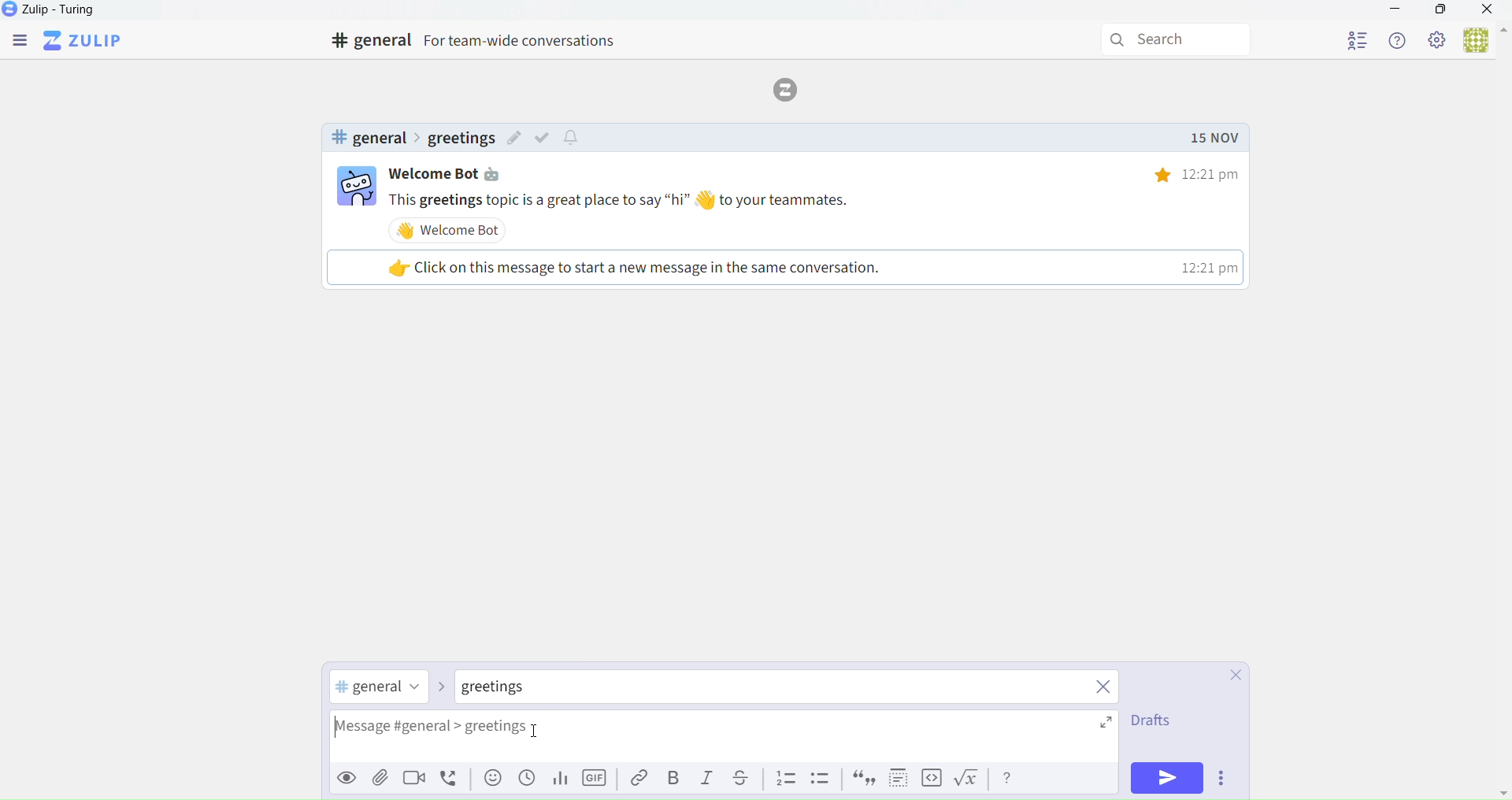  What do you see at coordinates (1439, 12) in the screenshot?
I see `restore down` at bounding box center [1439, 12].